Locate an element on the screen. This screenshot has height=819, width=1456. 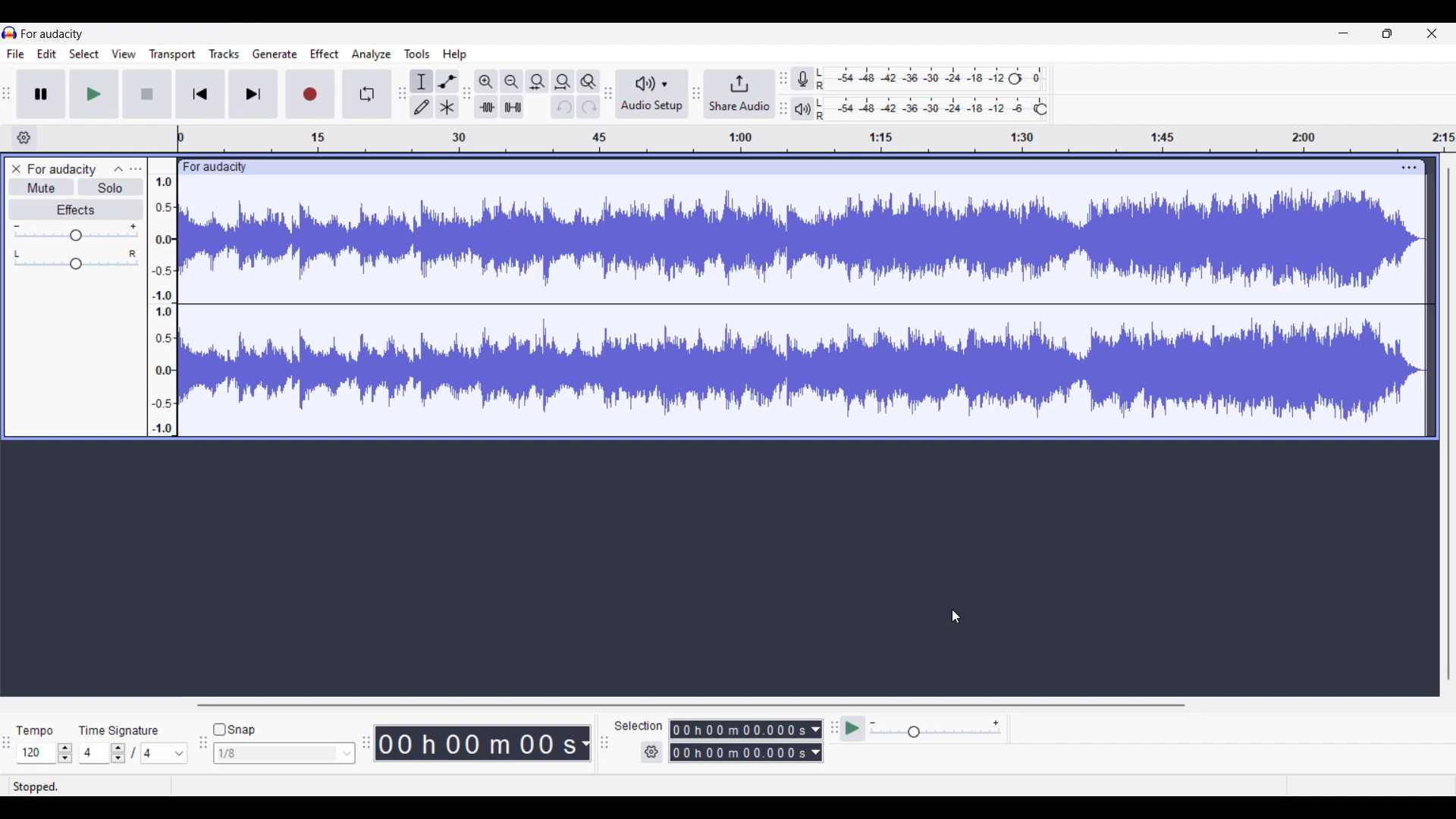
Mute is located at coordinates (42, 187).